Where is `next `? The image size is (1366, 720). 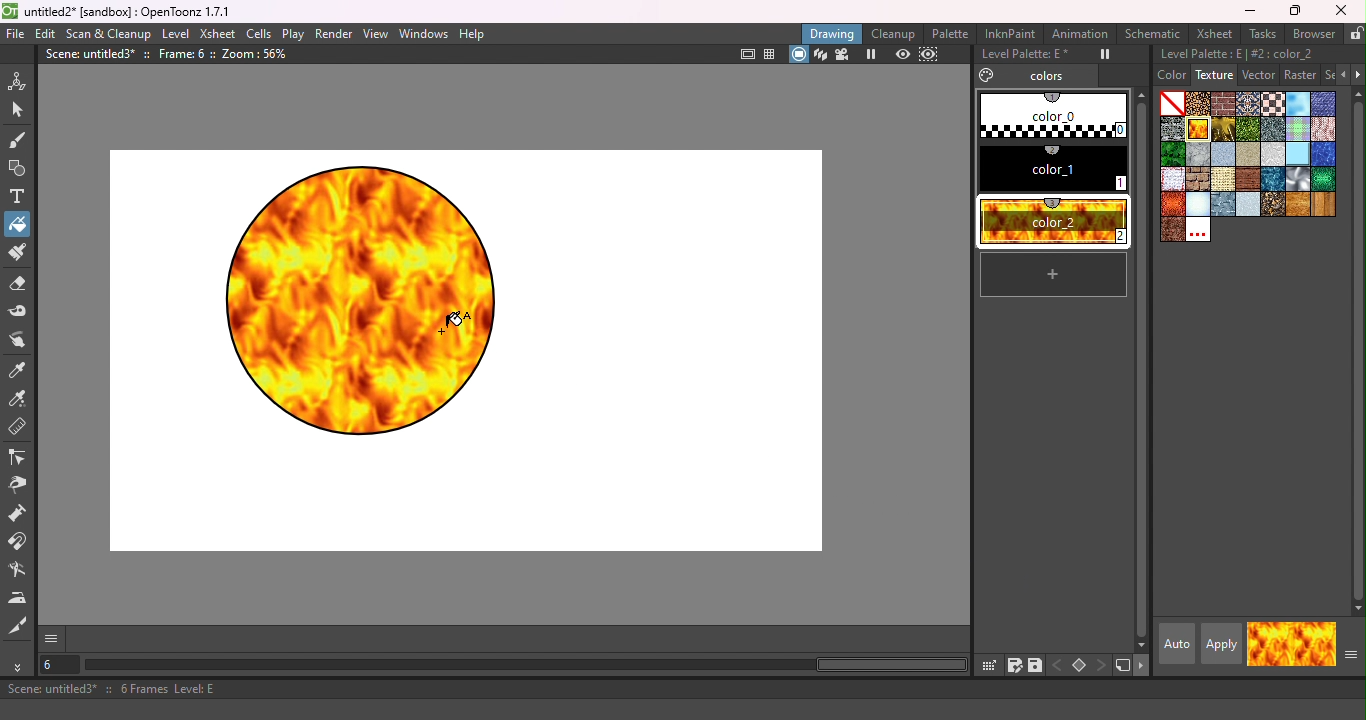 next  is located at coordinates (1143, 668).